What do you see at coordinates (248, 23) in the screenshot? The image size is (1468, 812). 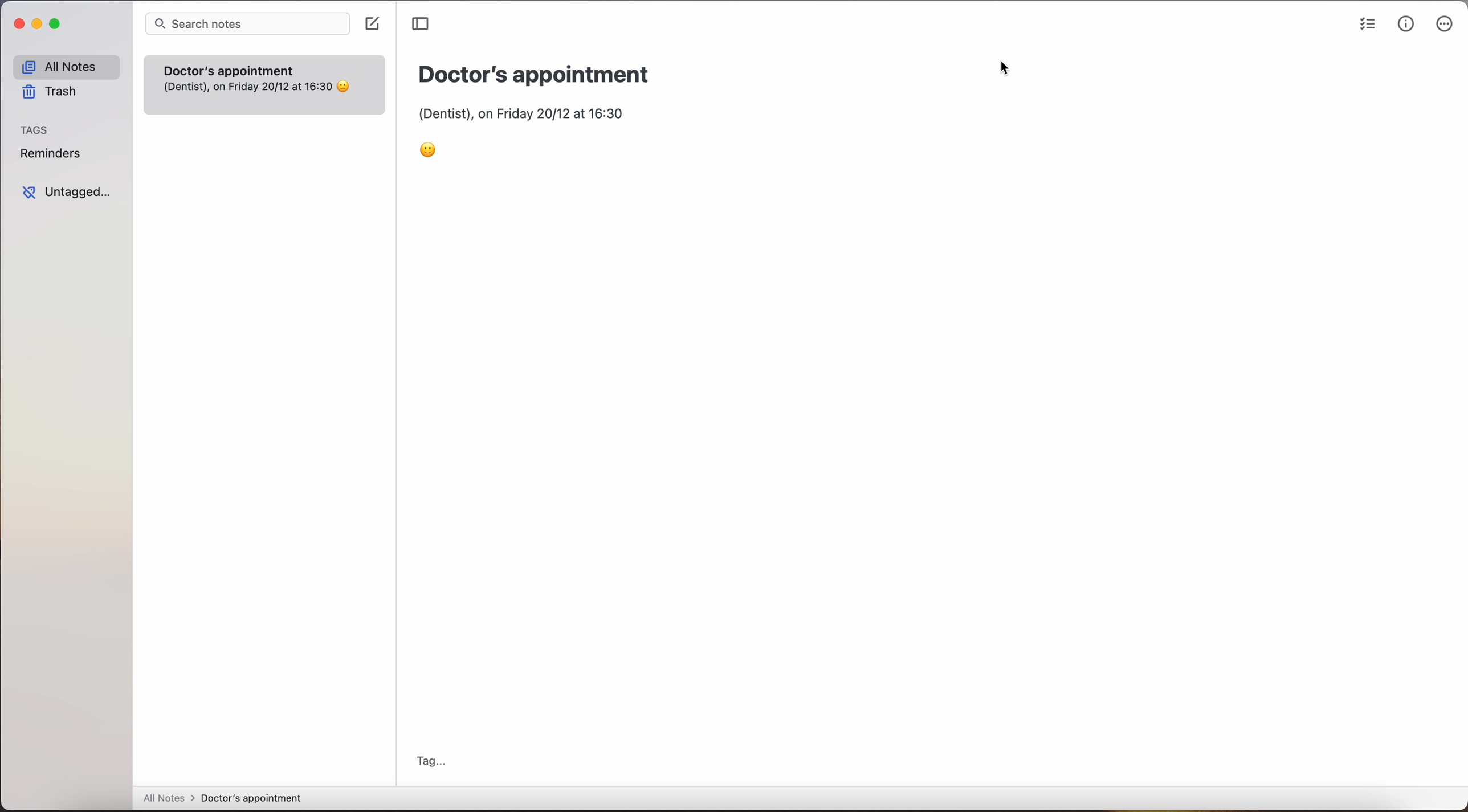 I see `search bar` at bounding box center [248, 23].